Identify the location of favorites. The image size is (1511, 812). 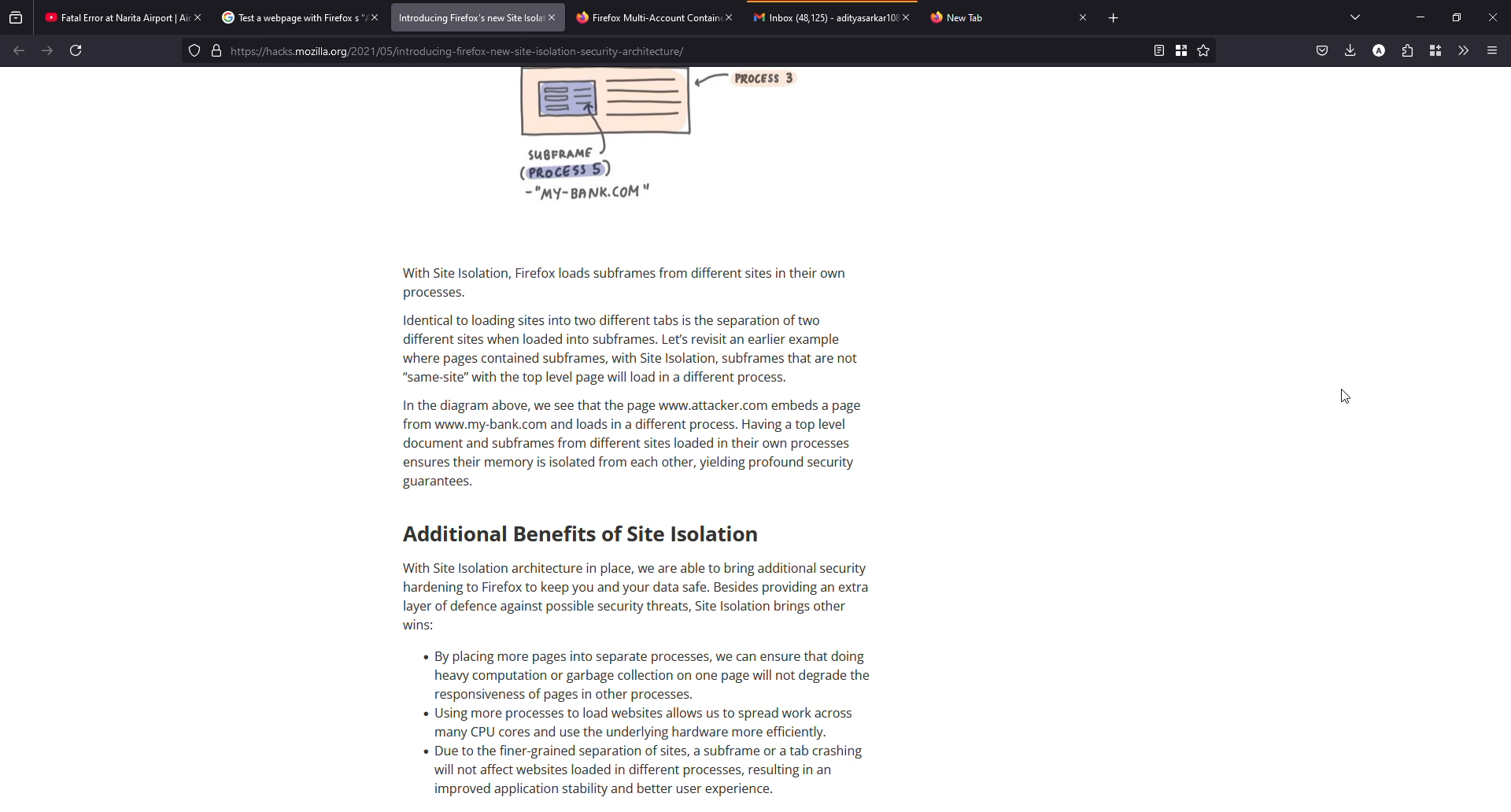
(1203, 50).